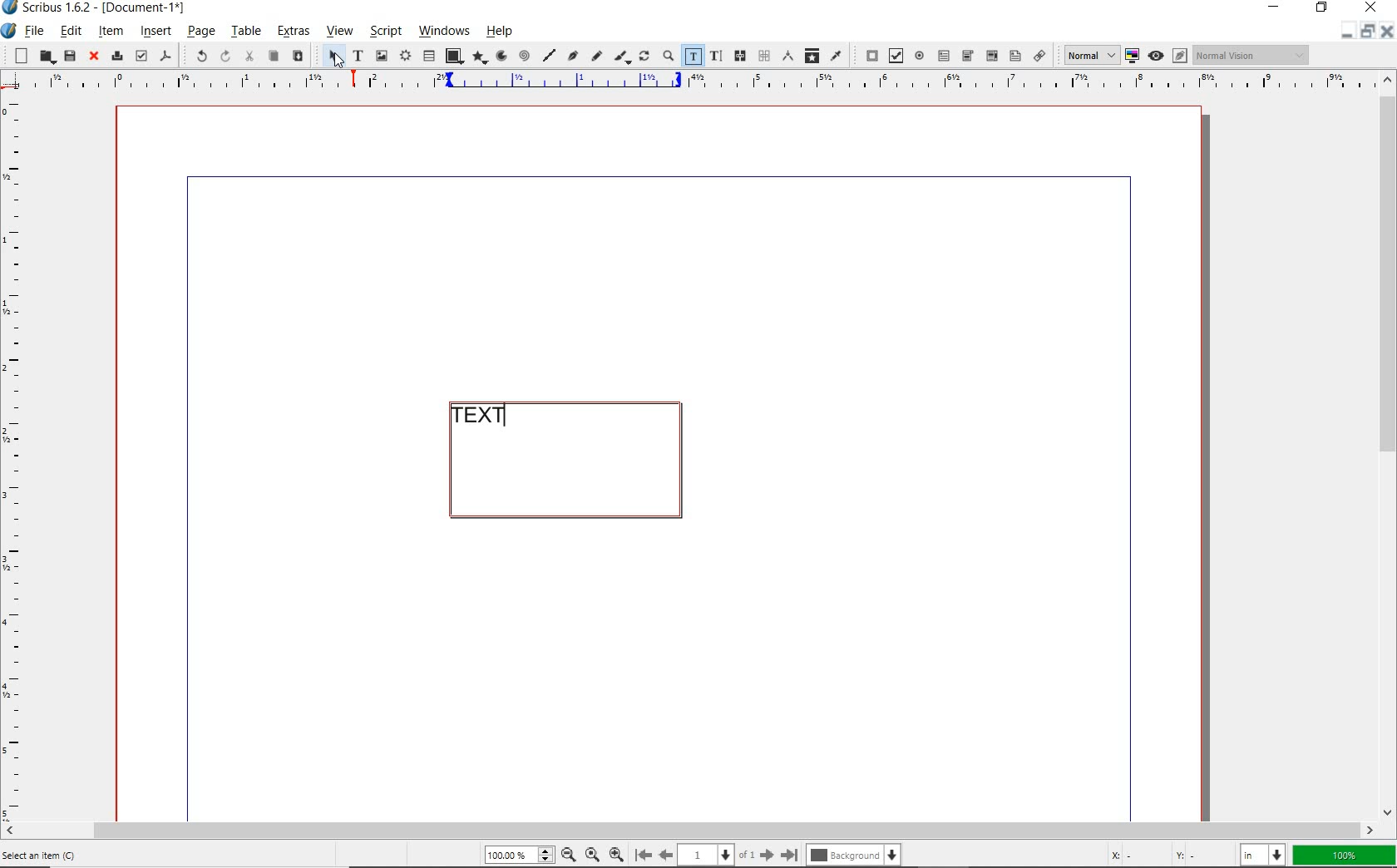 The height and width of the screenshot is (868, 1397). What do you see at coordinates (404, 57) in the screenshot?
I see `render frame` at bounding box center [404, 57].